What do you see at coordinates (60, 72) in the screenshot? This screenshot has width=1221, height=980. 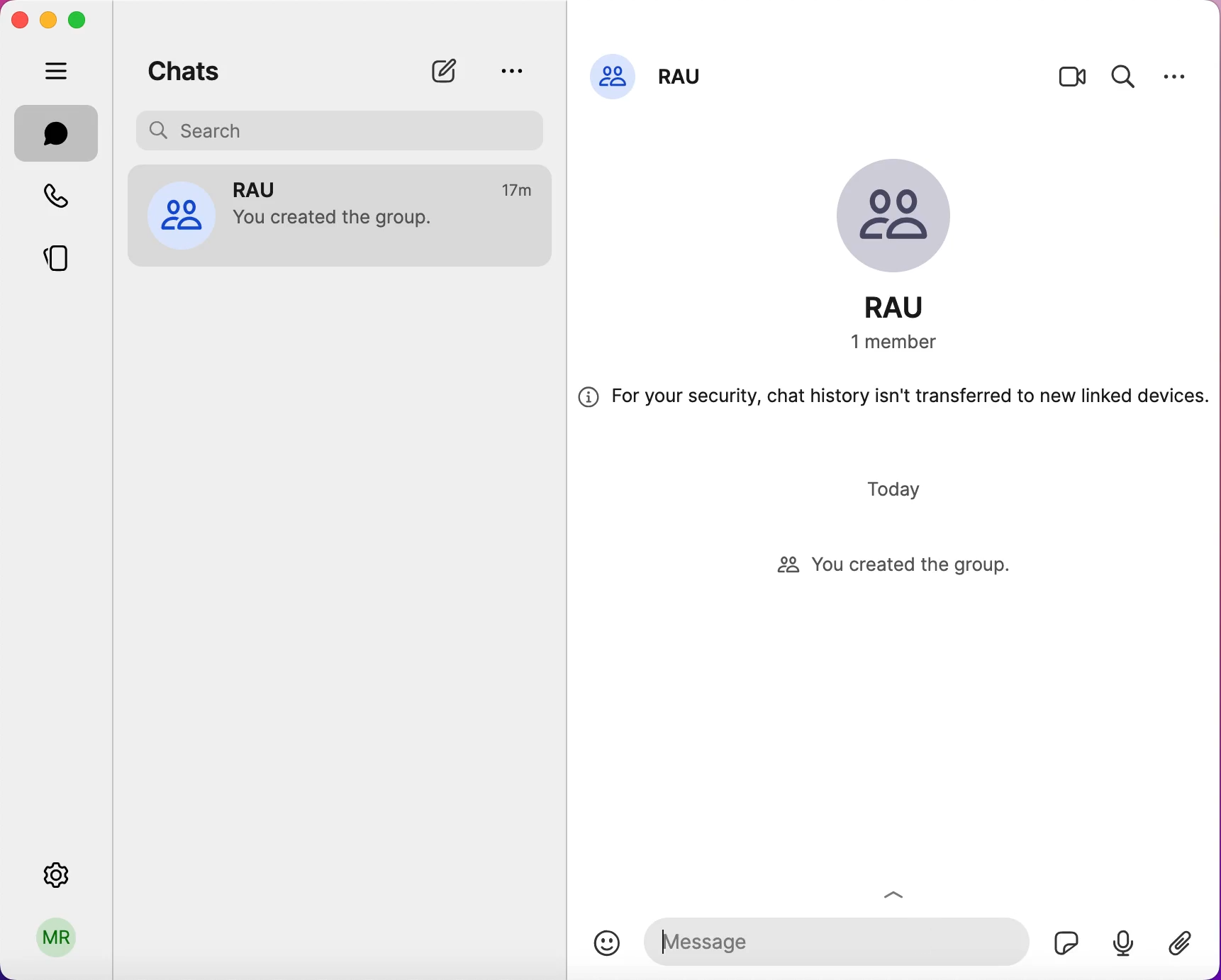 I see `hide bar` at bounding box center [60, 72].